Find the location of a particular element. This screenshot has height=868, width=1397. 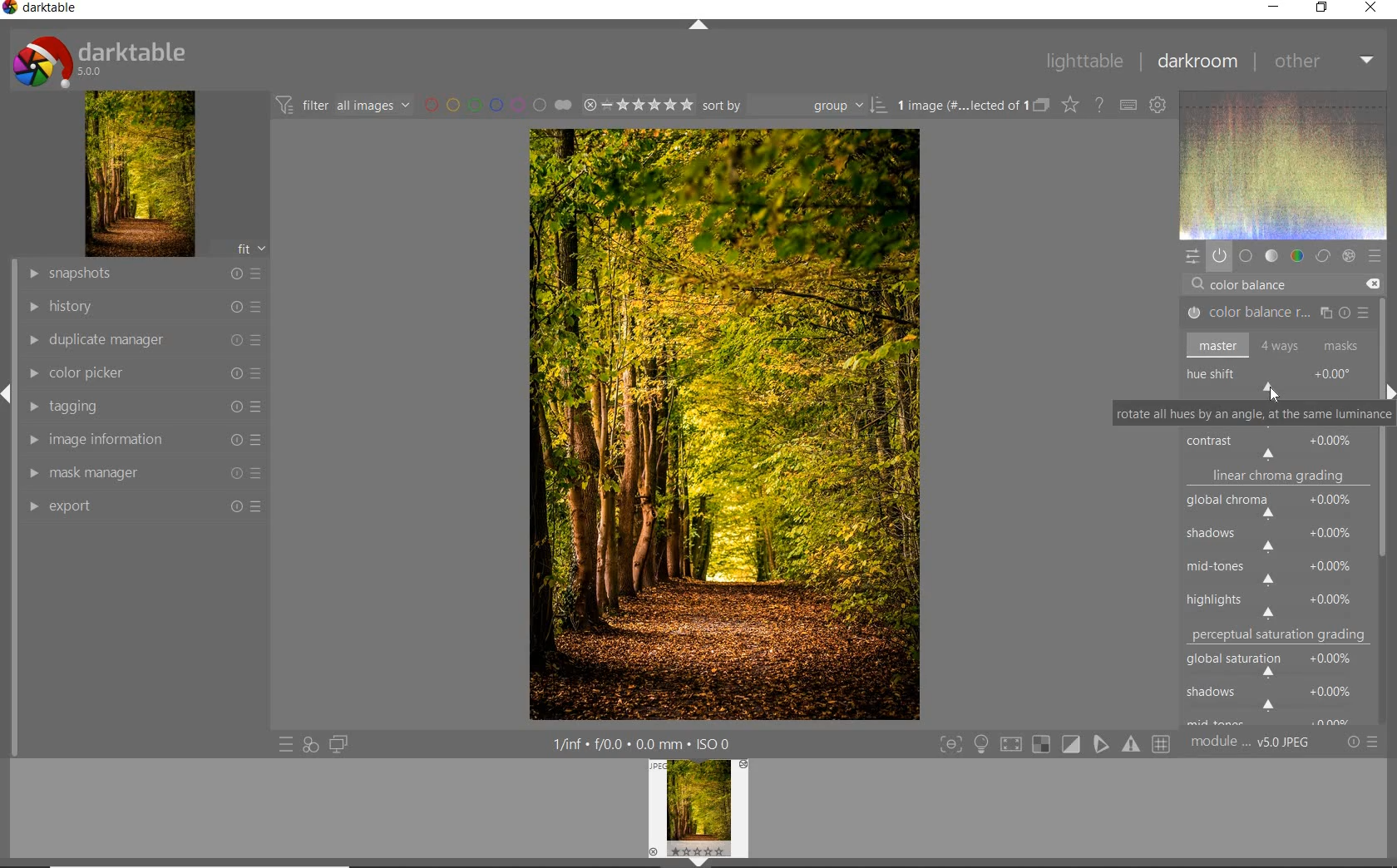

darkroom is located at coordinates (1198, 61).